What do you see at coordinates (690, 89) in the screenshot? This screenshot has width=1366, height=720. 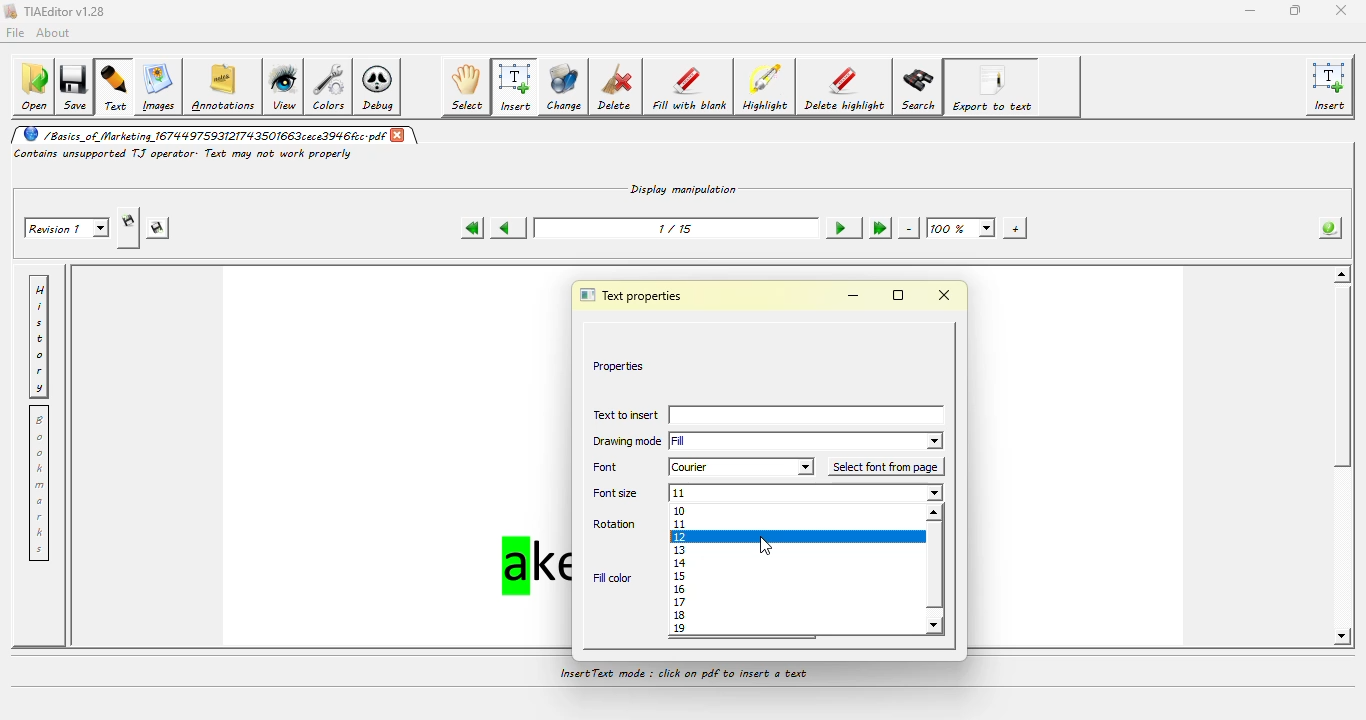 I see `fill with blank` at bounding box center [690, 89].